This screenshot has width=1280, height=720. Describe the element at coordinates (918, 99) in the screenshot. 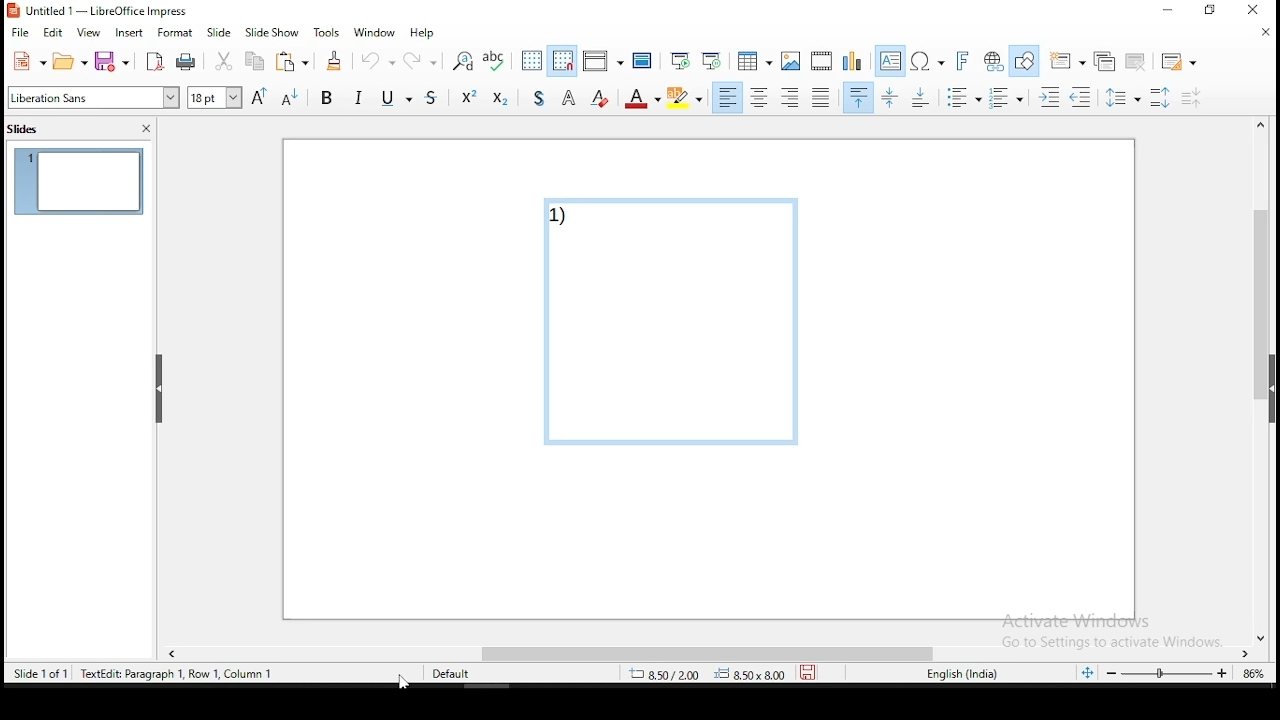

I see `align bottom` at that location.